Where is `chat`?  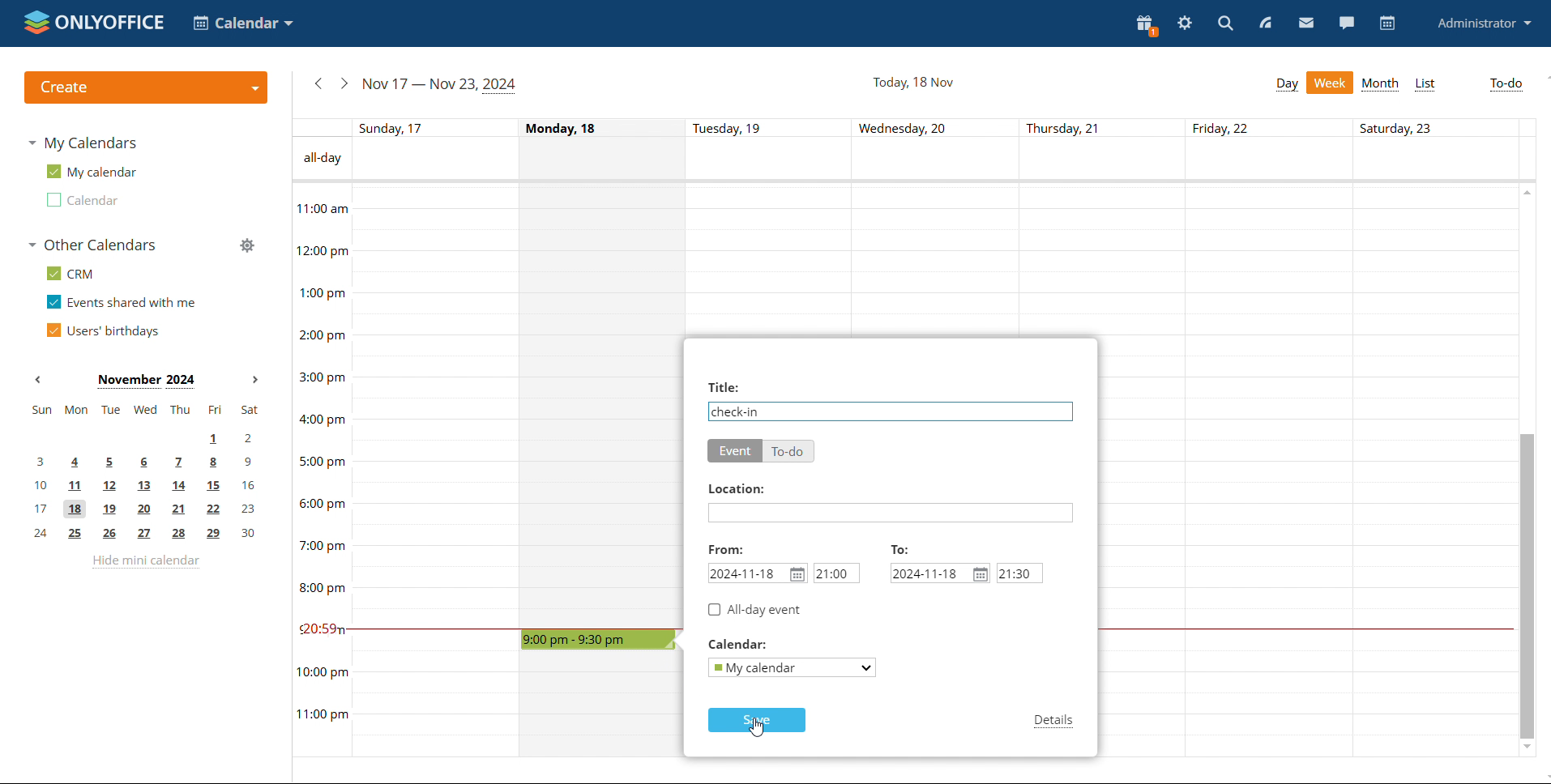 chat is located at coordinates (1347, 23).